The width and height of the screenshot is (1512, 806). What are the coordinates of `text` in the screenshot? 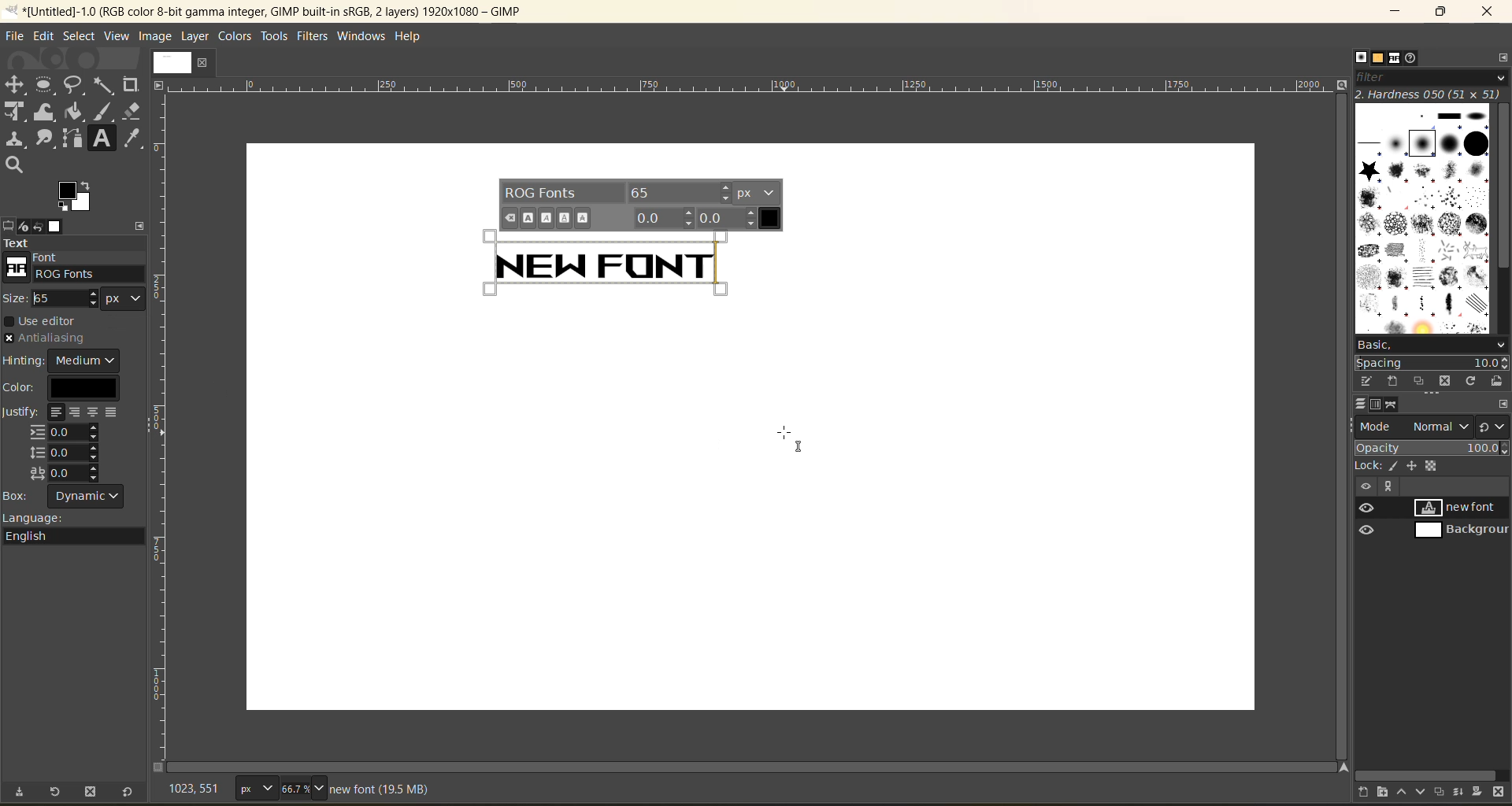 It's located at (75, 242).